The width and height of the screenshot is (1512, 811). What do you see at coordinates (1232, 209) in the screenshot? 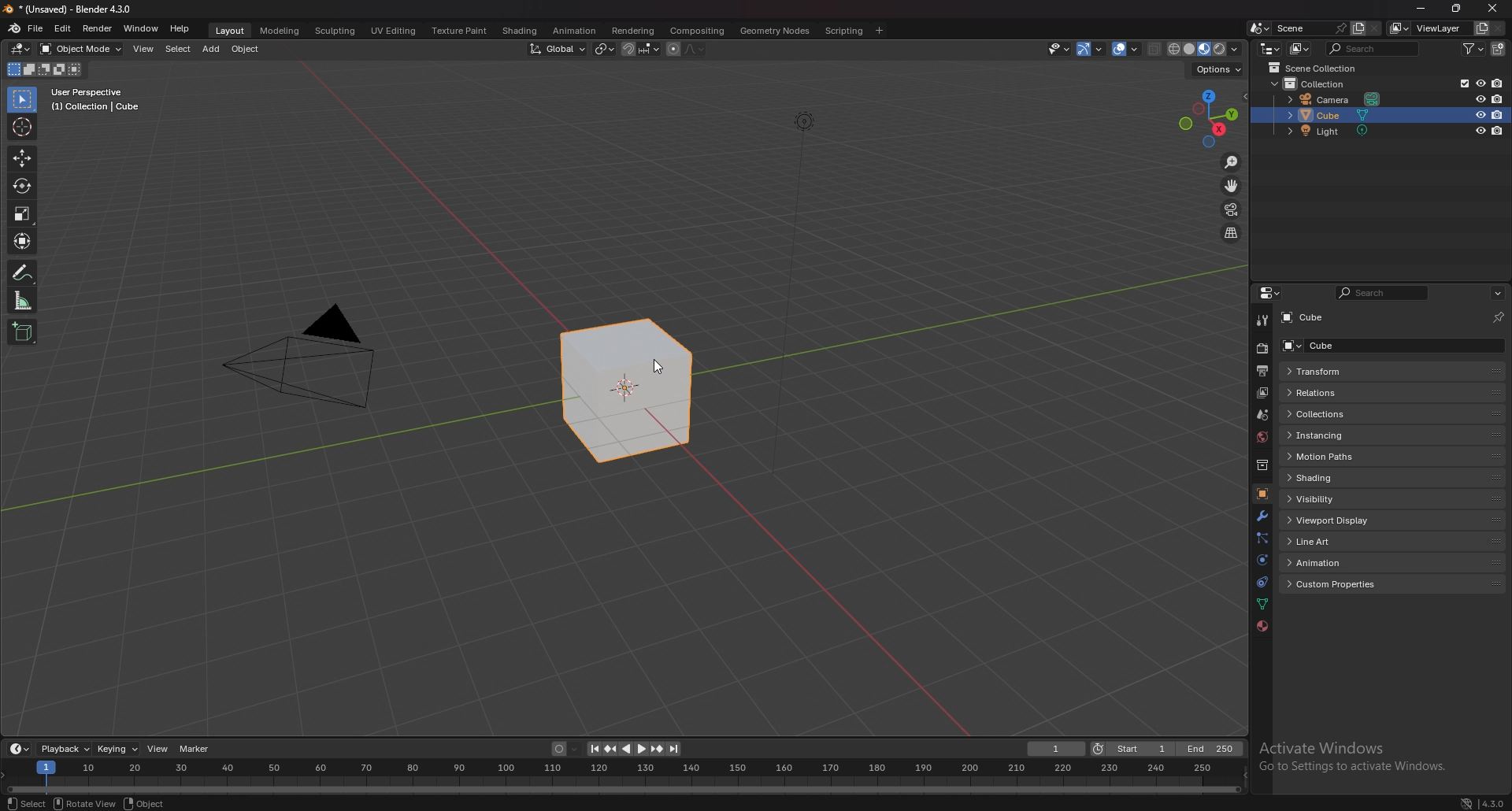
I see `camera view` at bounding box center [1232, 209].